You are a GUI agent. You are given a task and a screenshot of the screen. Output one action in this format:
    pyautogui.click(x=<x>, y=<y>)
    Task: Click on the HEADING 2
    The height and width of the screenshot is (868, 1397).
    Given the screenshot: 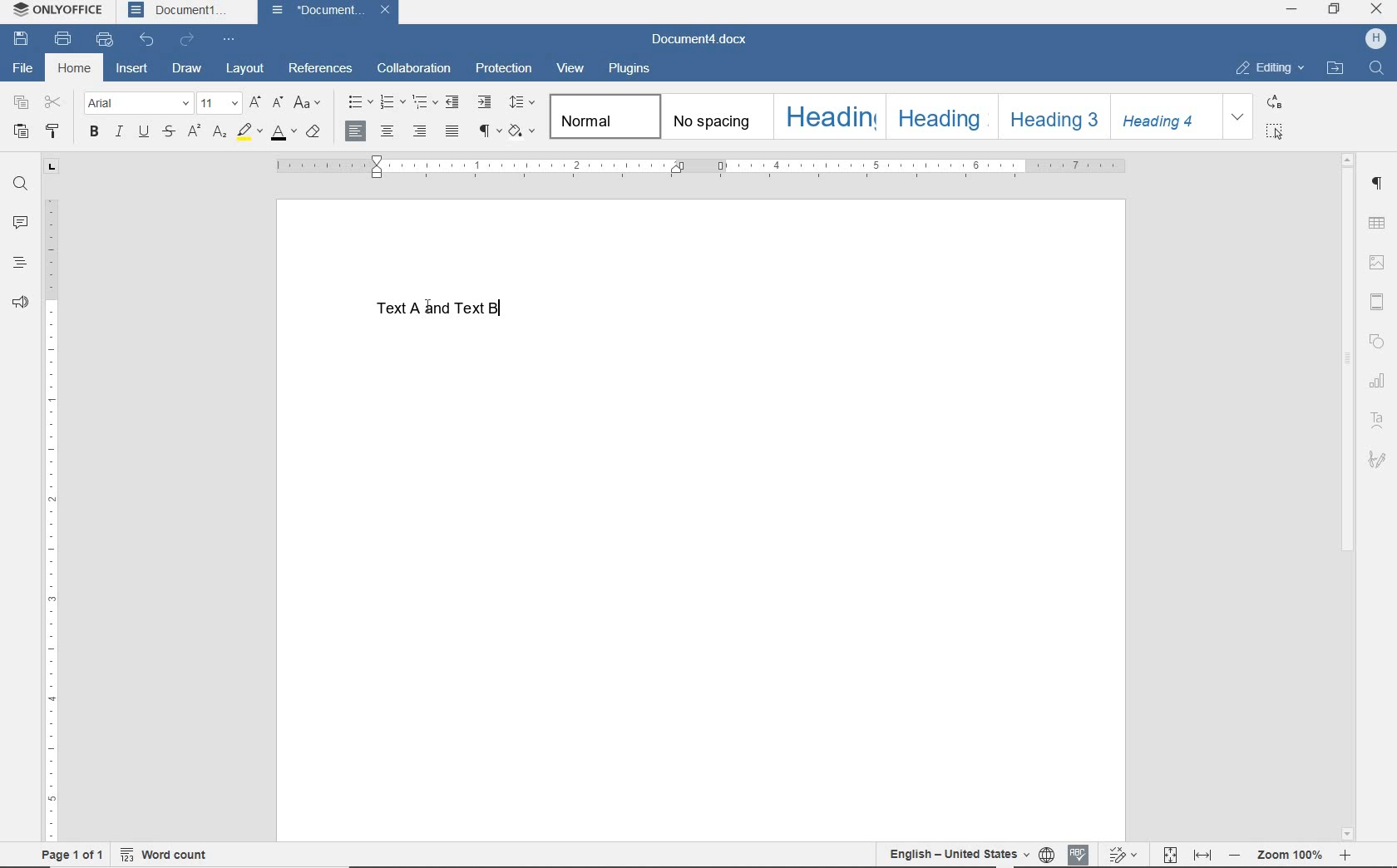 What is the action you would take?
    pyautogui.click(x=940, y=116)
    